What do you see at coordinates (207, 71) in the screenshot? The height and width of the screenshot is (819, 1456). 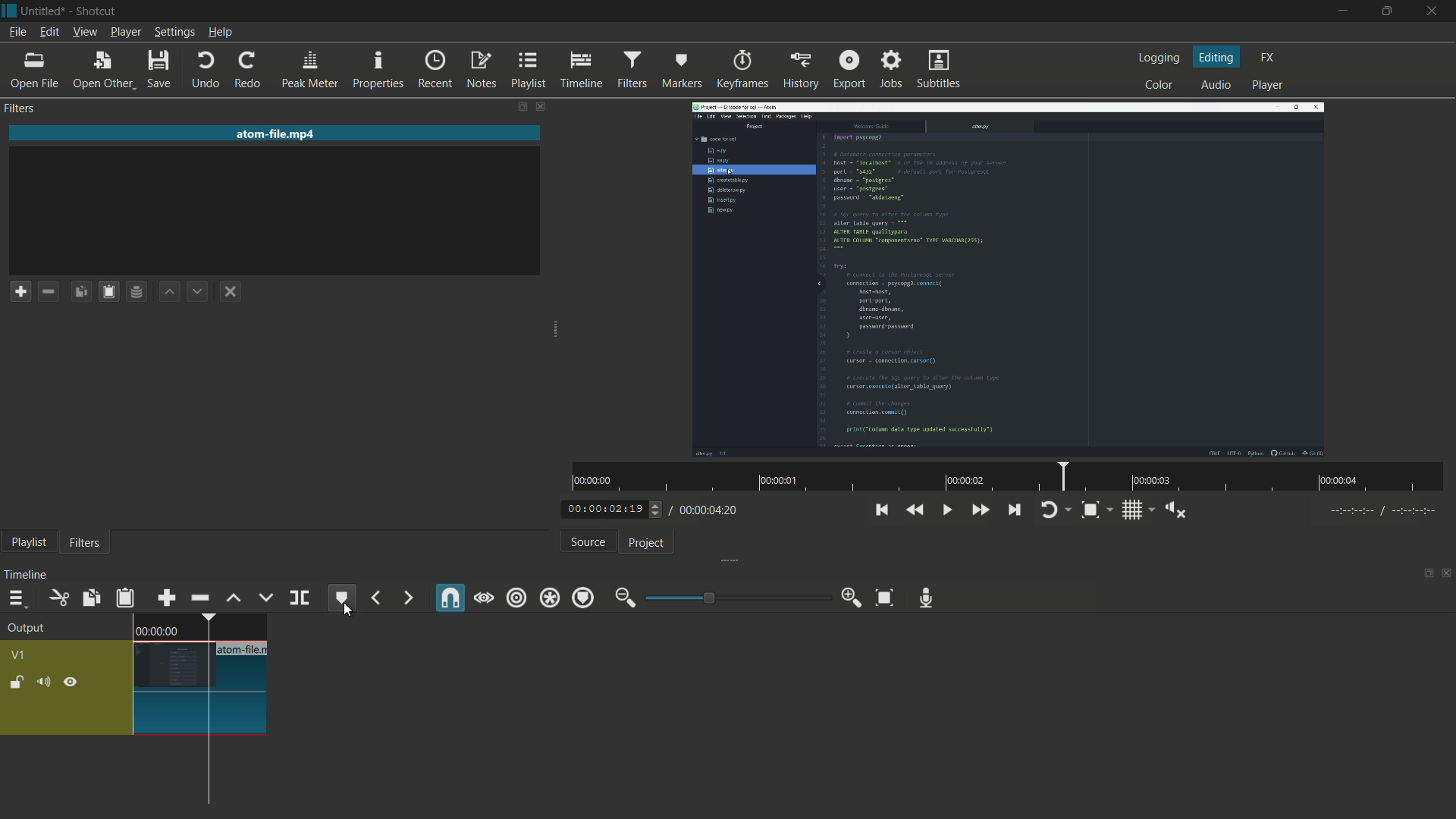 I see `undo` at bounding box center [207, 71].